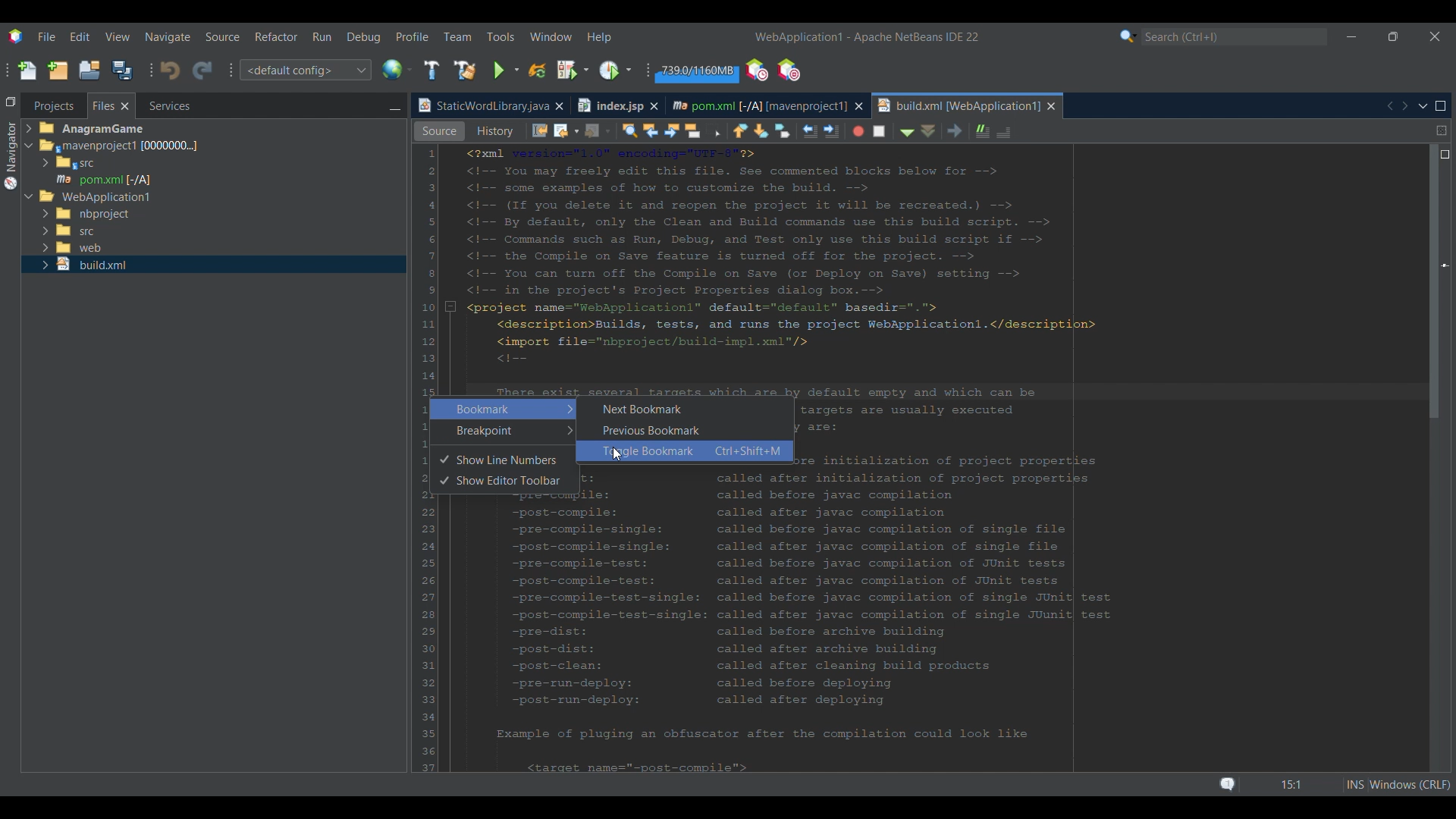 This screenshot has height=819, width=1456. What do you see at coordinates (944, 132) in the screenshot?
I see `Shift line left` at bounding box center [944, 132].